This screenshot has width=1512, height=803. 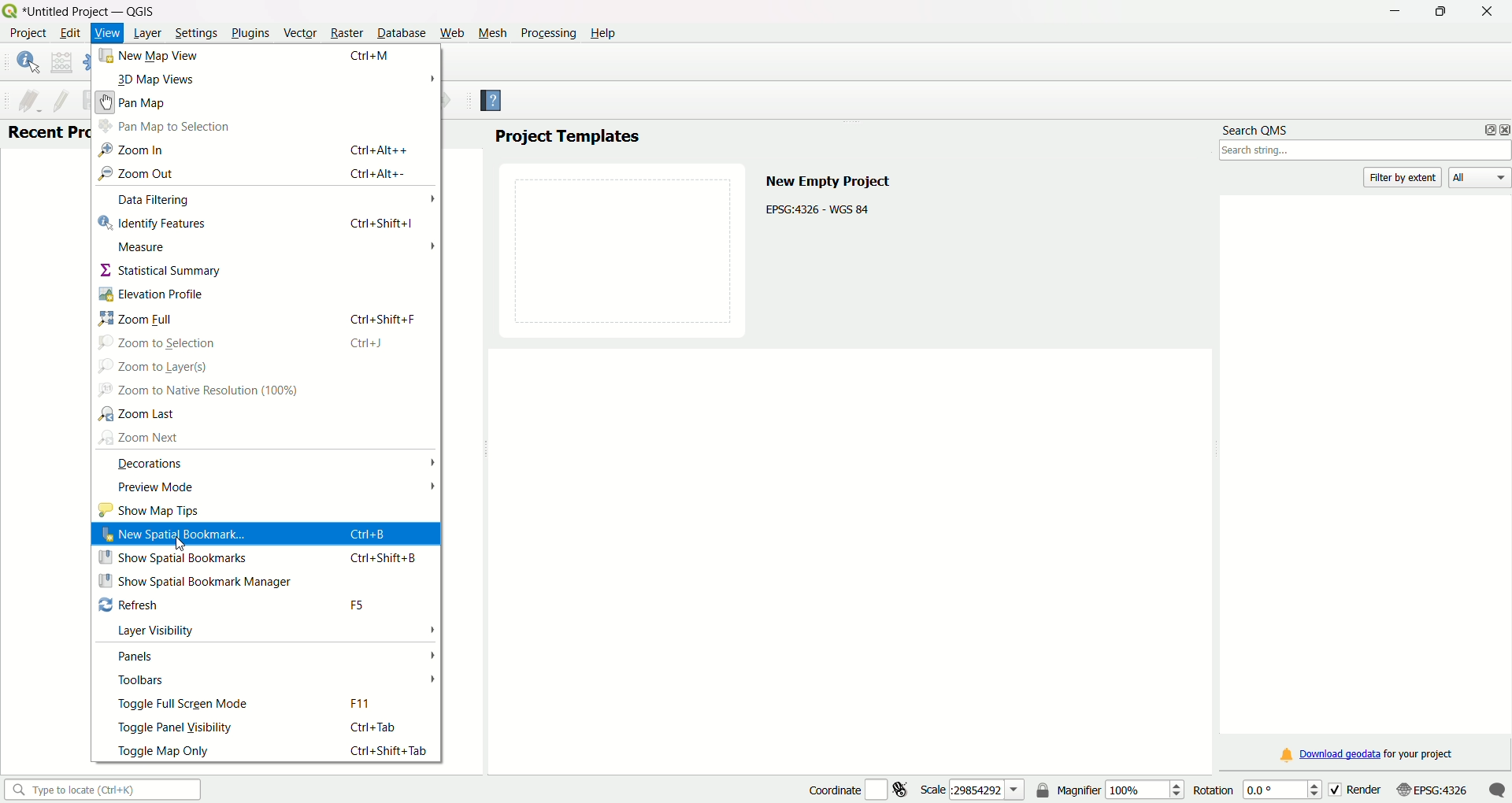 I want to click on decorations, so click(x=150, y=462).